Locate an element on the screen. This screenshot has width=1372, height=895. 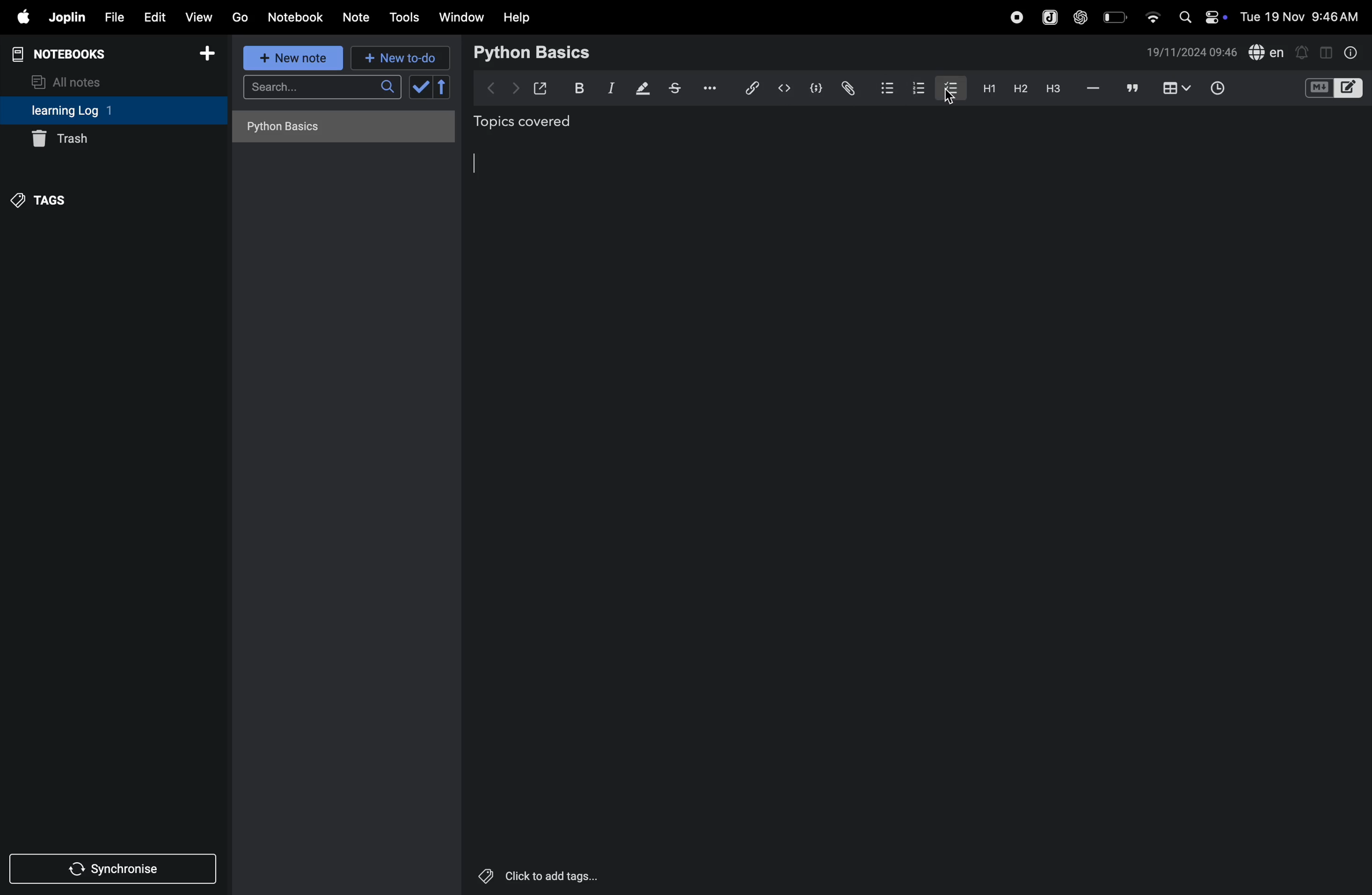
check box is located at coordinates (432, 87).